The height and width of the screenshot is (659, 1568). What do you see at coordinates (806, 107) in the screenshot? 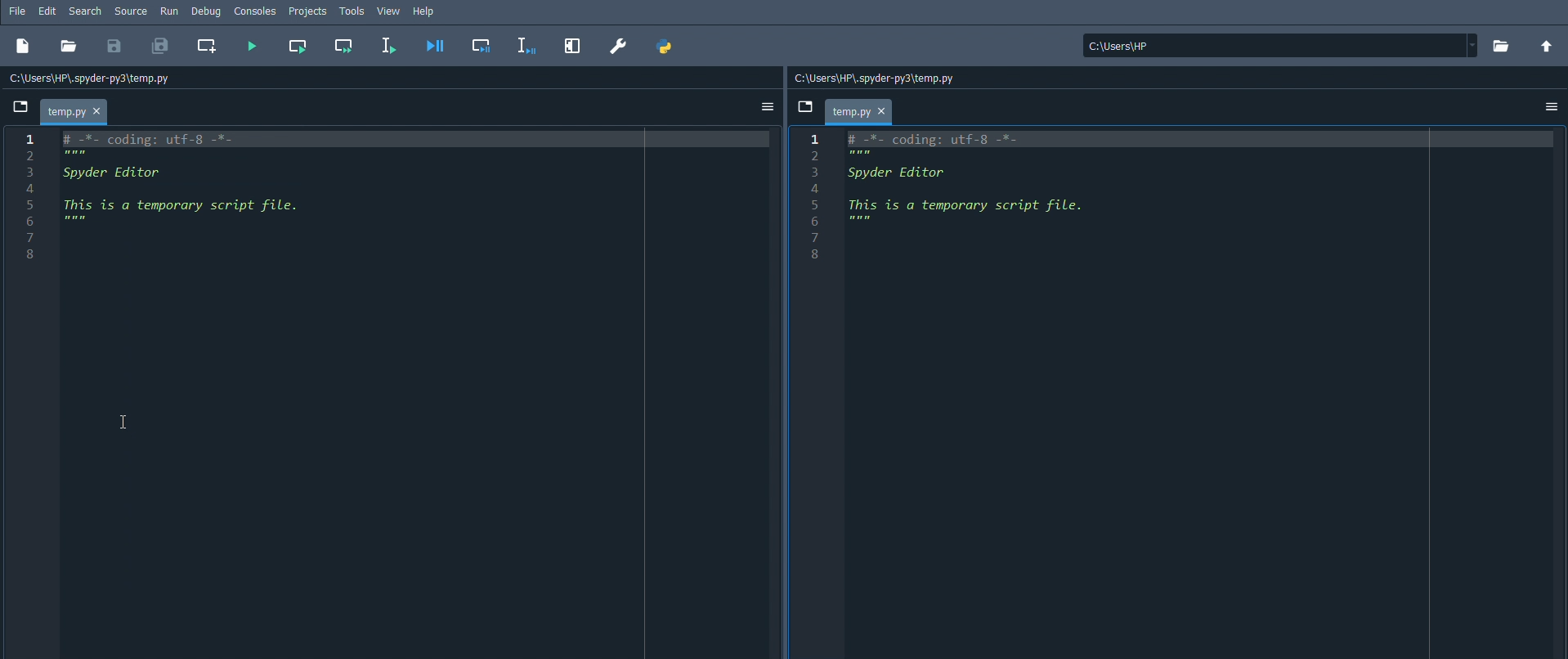
I see `Browse tabs` at bounding box center [806, 107].